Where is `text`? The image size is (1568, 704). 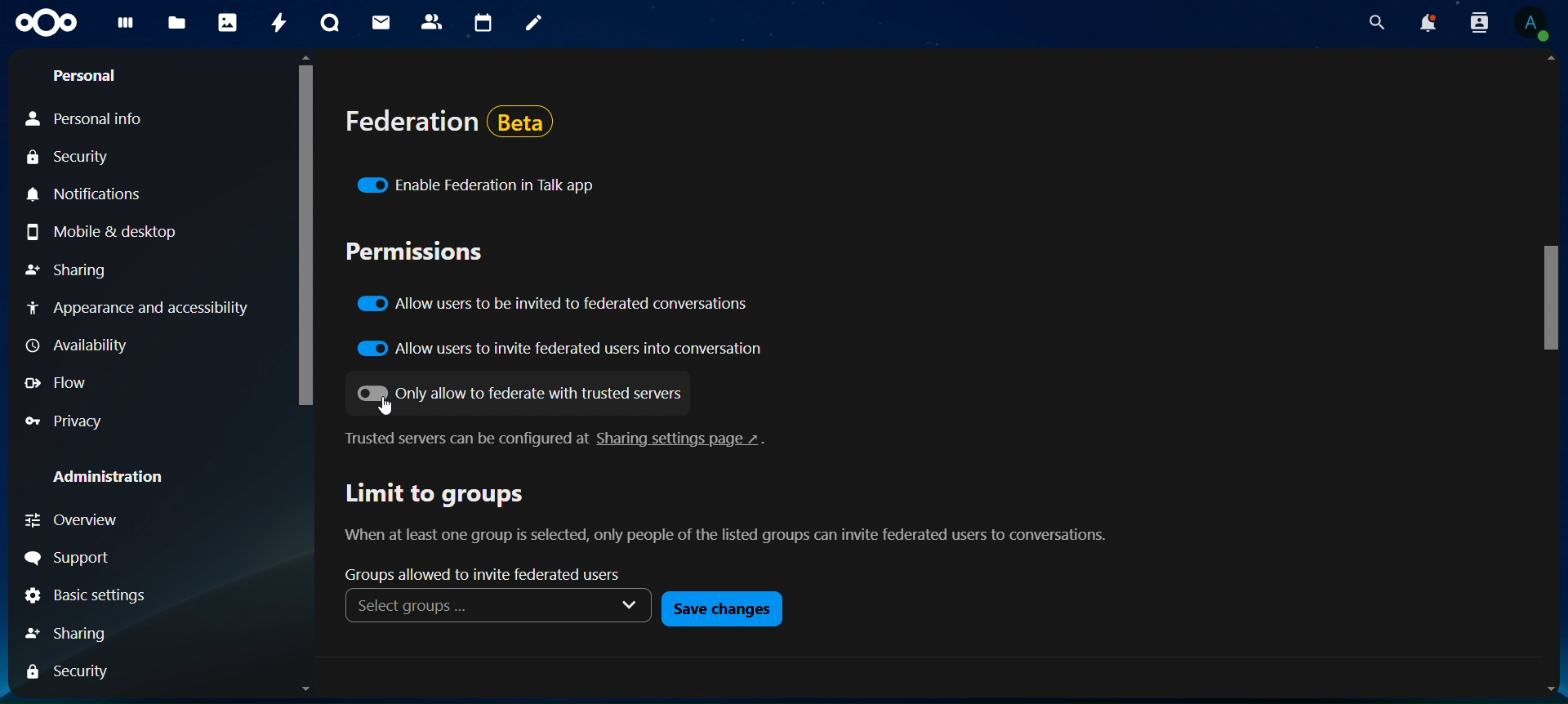
text is located at coordinates (734, 516).